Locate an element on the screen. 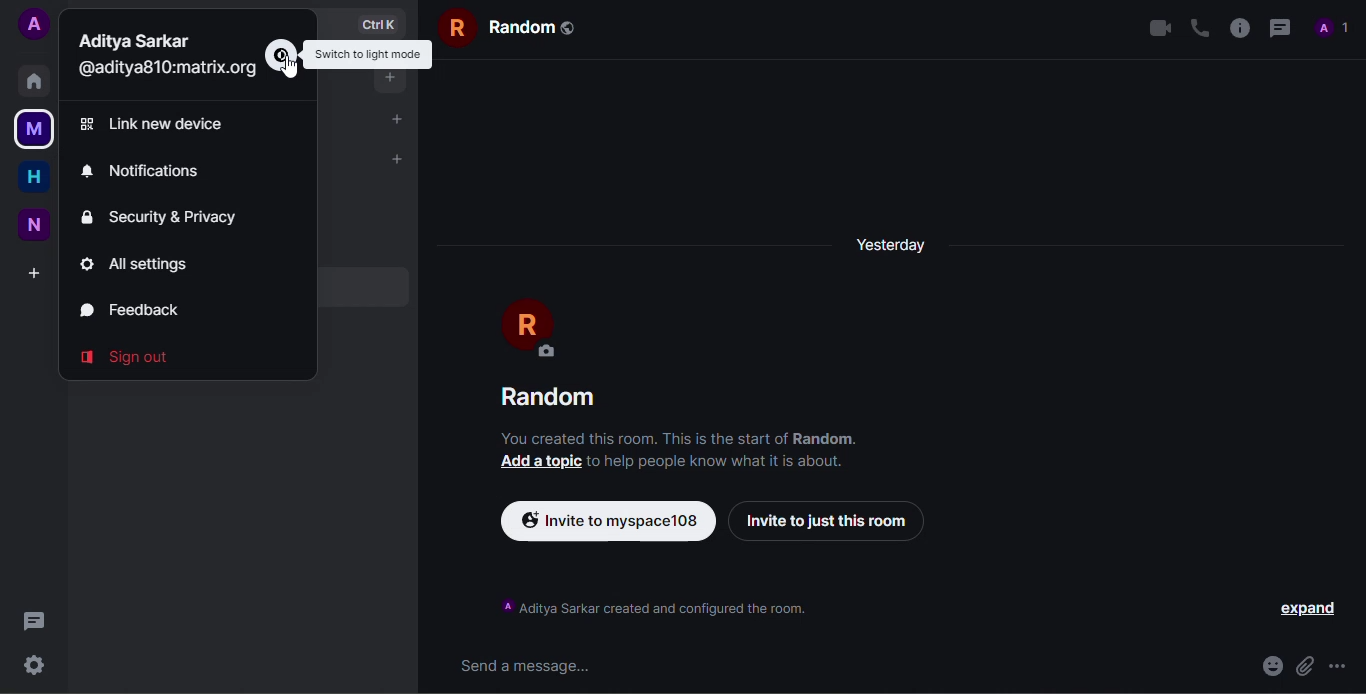 This screenshot has width=1366, height=694. group is located at coordinates (502, 28).